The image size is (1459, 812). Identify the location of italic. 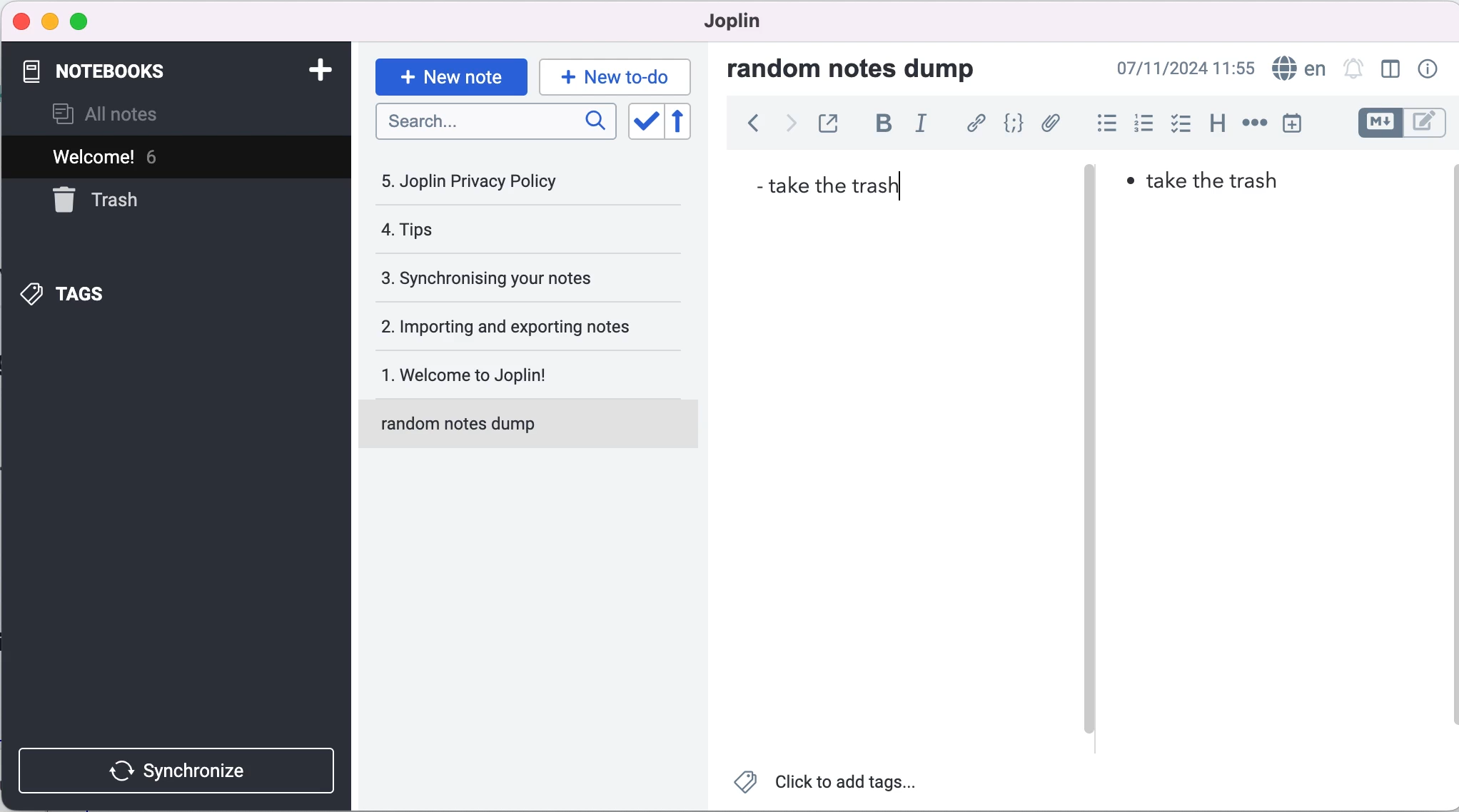
(923, 128).